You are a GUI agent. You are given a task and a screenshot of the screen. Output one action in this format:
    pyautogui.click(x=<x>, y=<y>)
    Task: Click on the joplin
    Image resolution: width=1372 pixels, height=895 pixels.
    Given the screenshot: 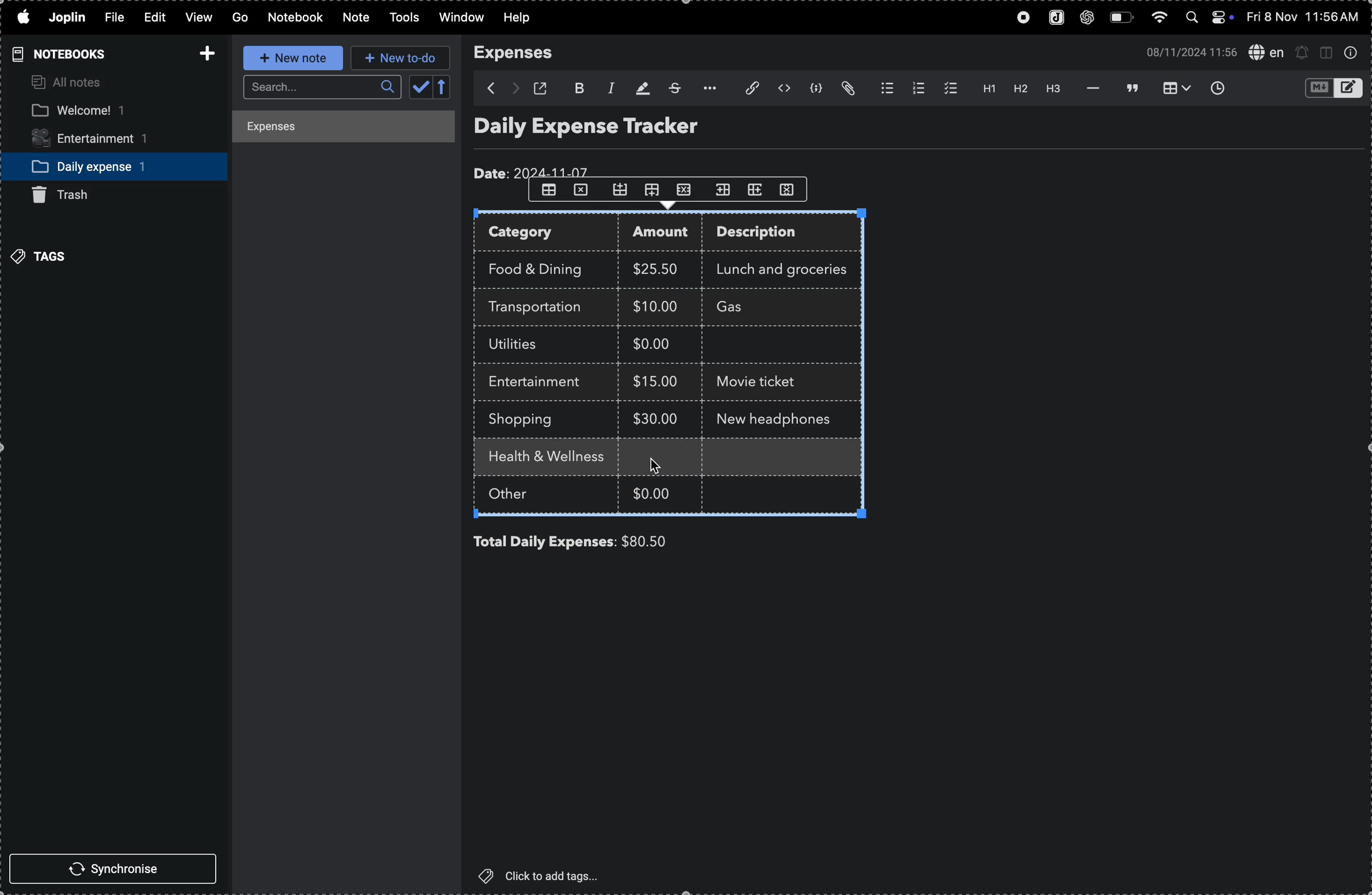 What is the action you would take?
    pyautogui.click(x=1053, y=18)
    